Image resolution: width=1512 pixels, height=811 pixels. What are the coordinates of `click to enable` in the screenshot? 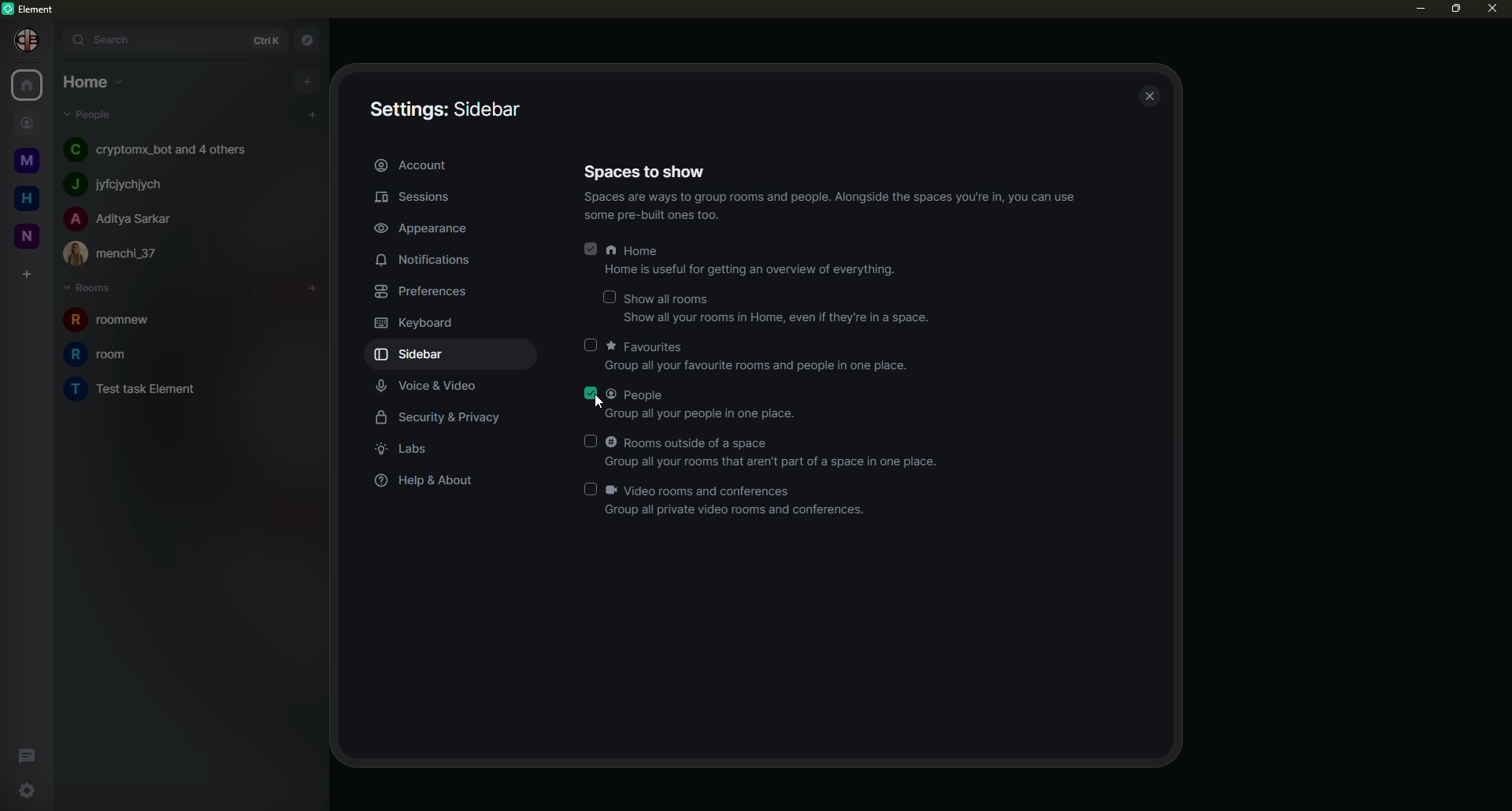 It's located at (594, 440).